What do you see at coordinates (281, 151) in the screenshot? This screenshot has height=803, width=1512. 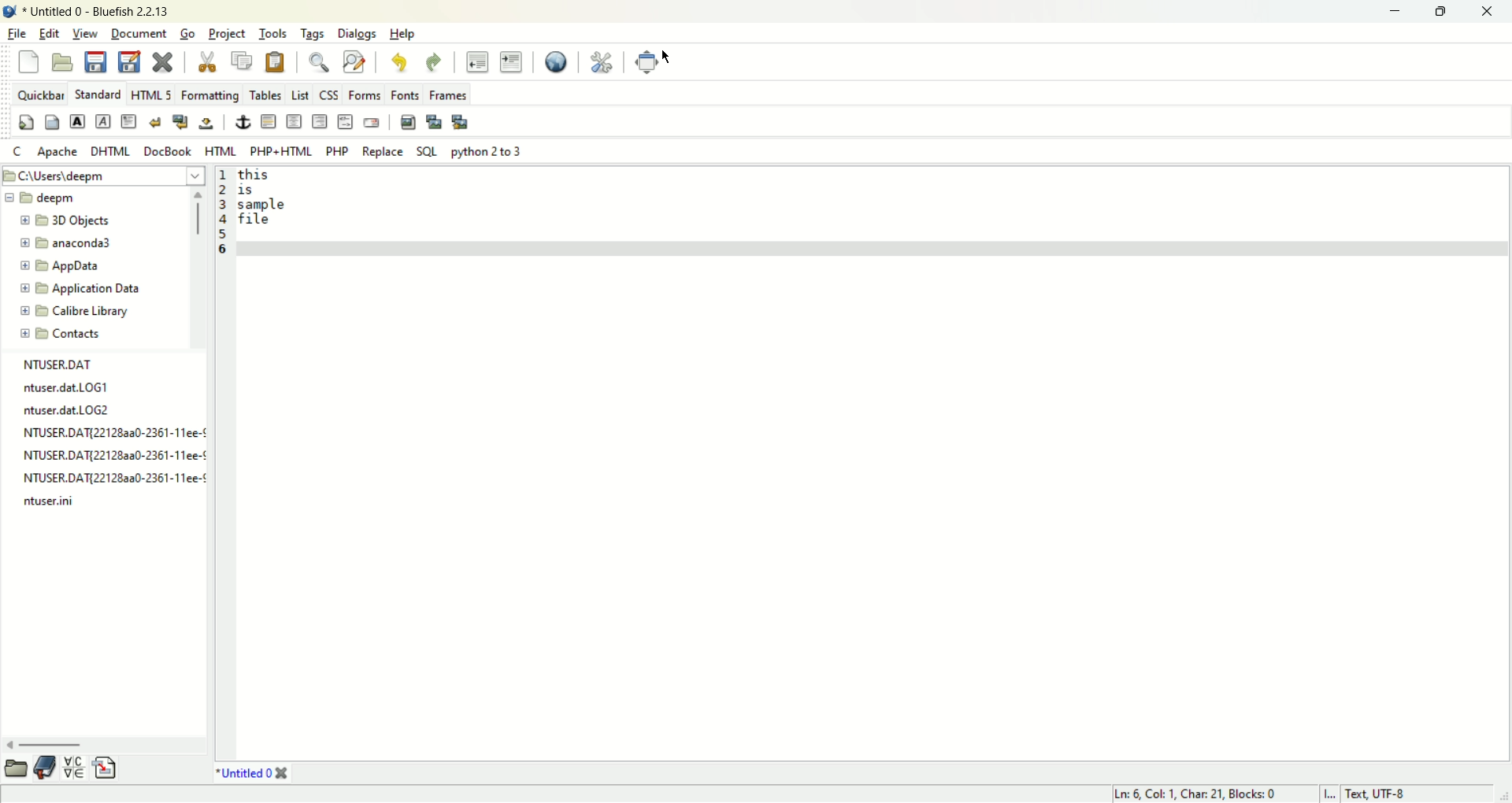 I see `PHP+HTML` at bounding box center [281, 151].